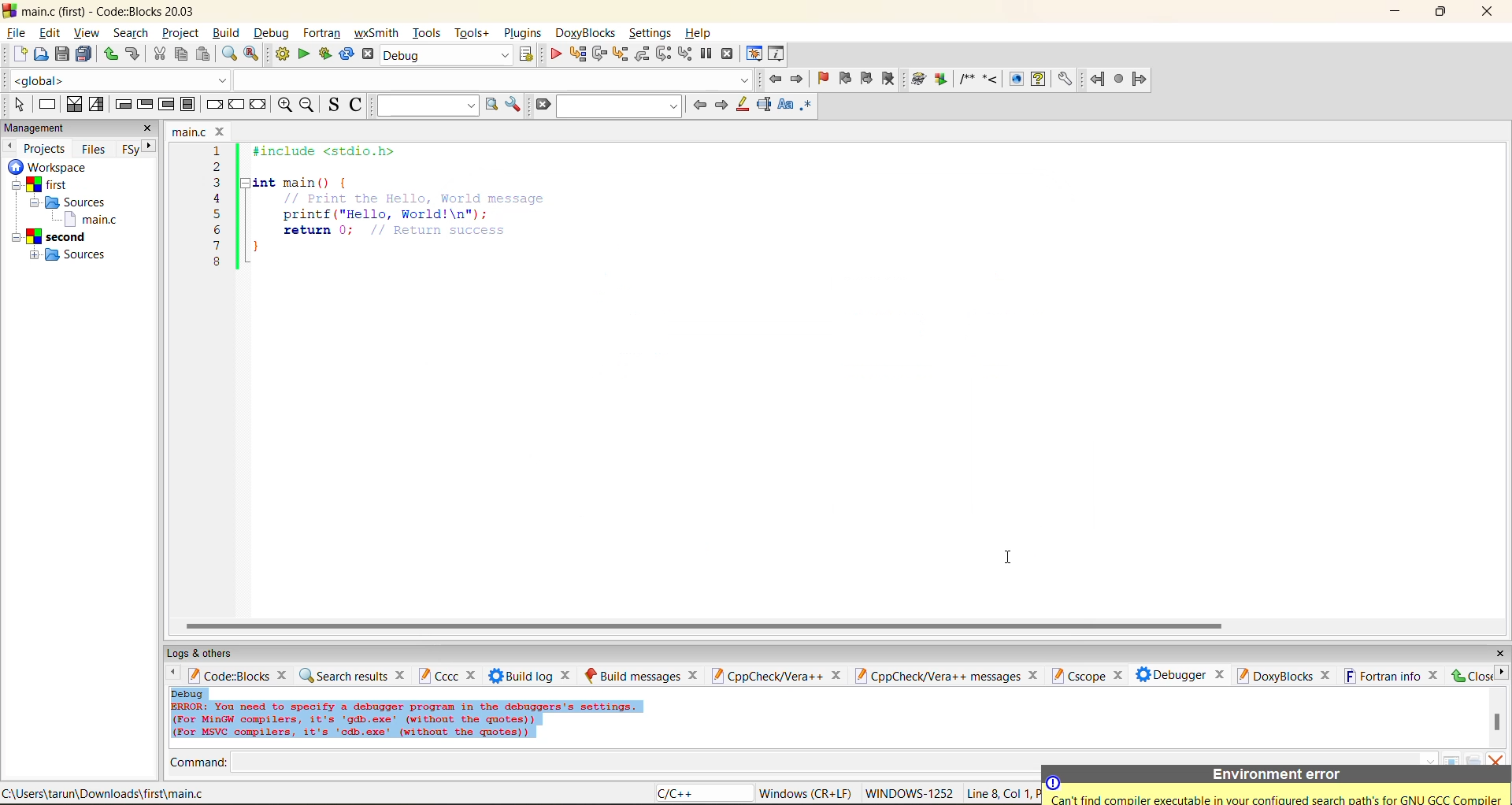 This screenshot has height=805, width=1512. I want to click on management, so click(37, 129).